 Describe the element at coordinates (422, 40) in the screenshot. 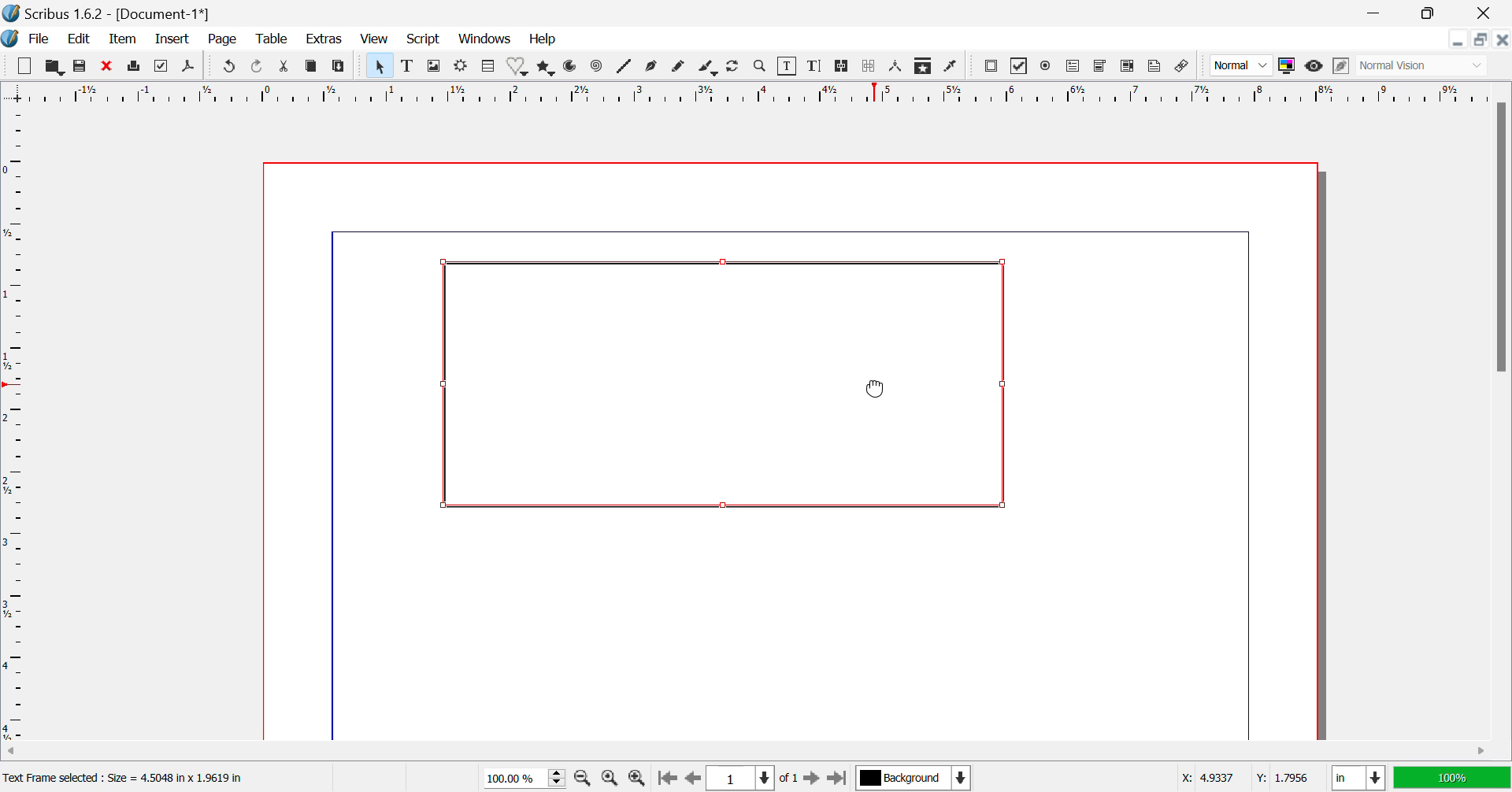

I see `Script` at that location.